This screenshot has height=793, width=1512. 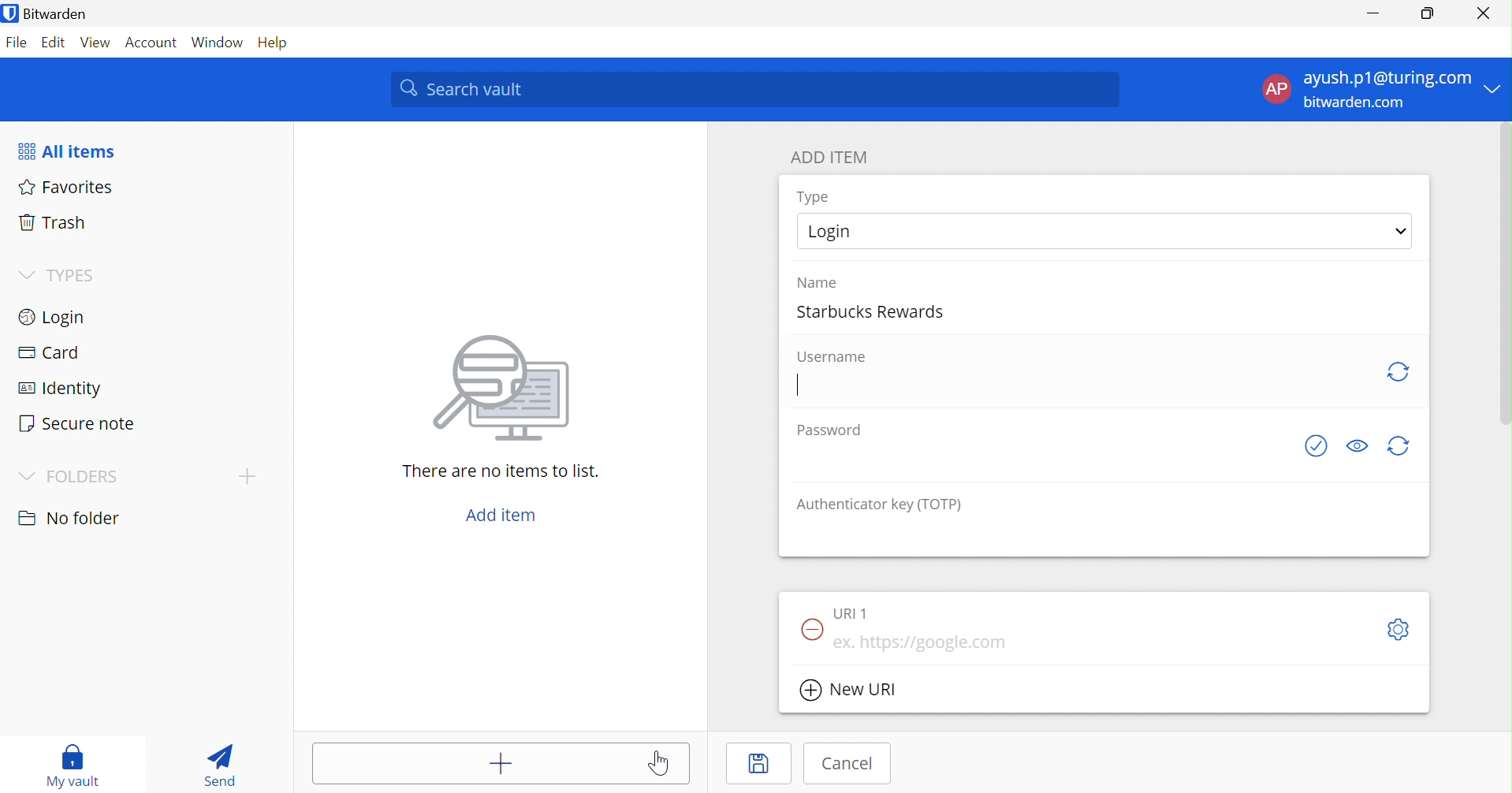 I want to click on Type, so click(x=815, y=197).